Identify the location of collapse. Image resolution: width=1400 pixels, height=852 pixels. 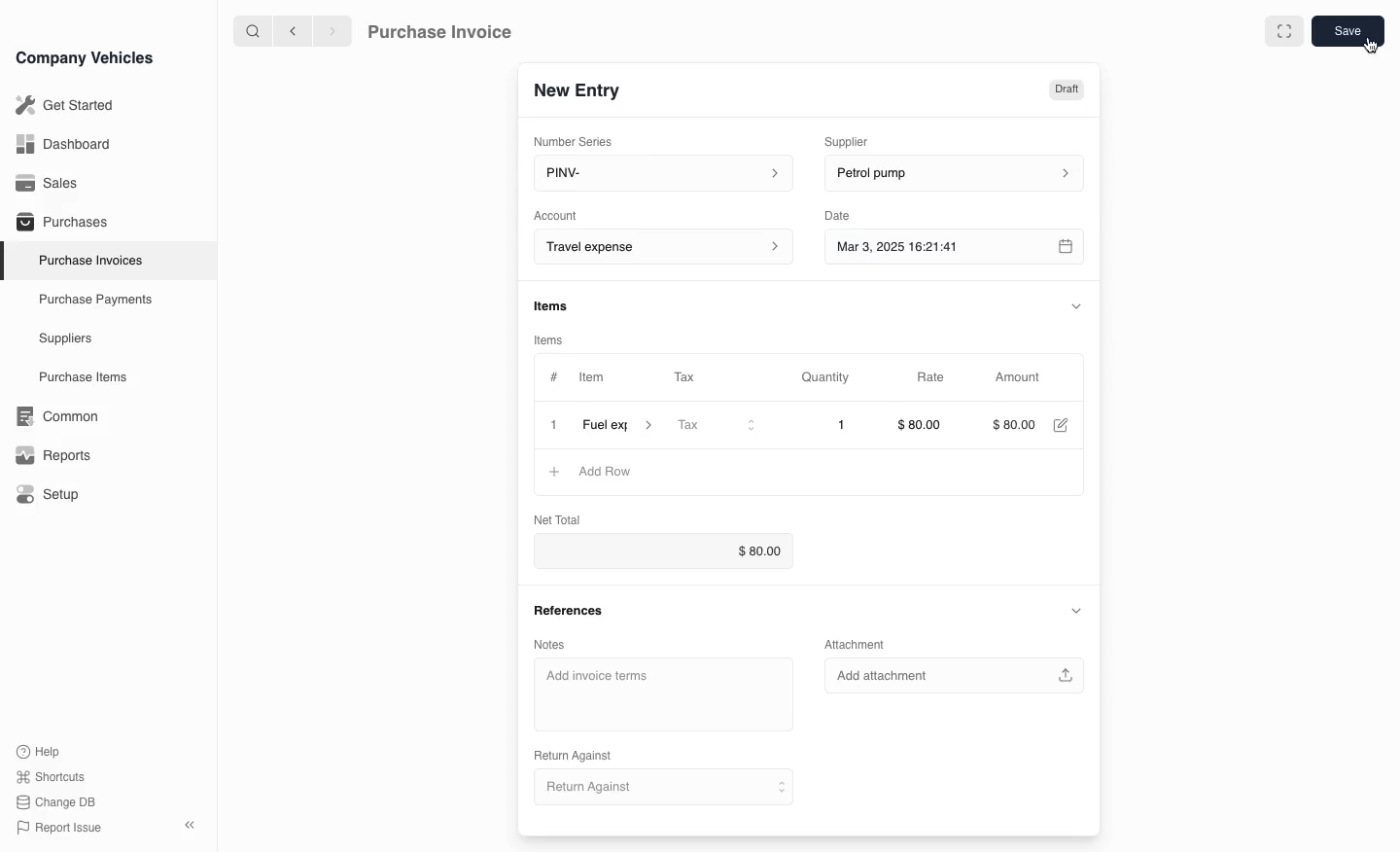
(1077, 304).